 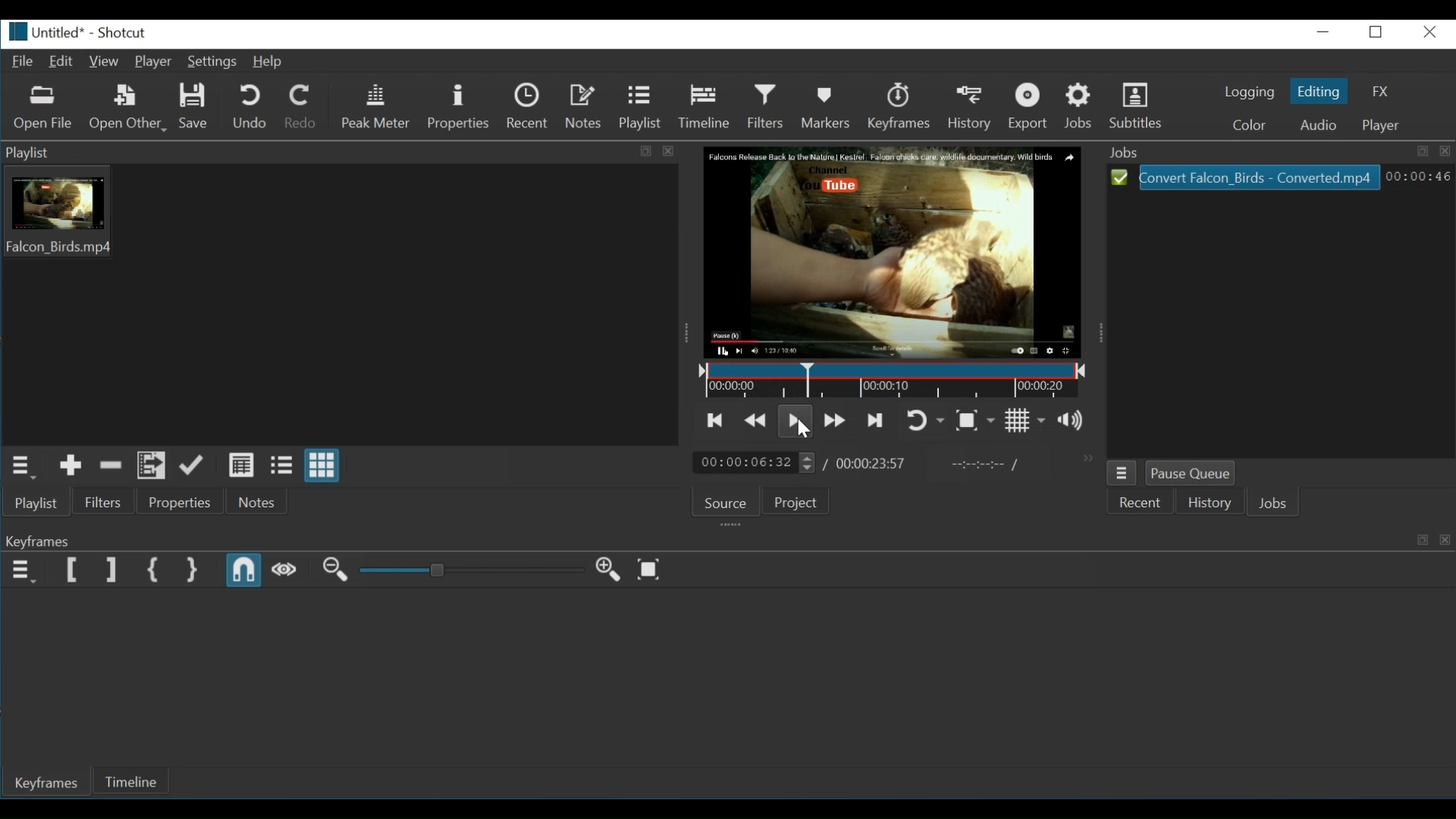 What do you see at coordinates (44, 108) in the screenshot?
I see `Open File` at bounding box center [44, 108].